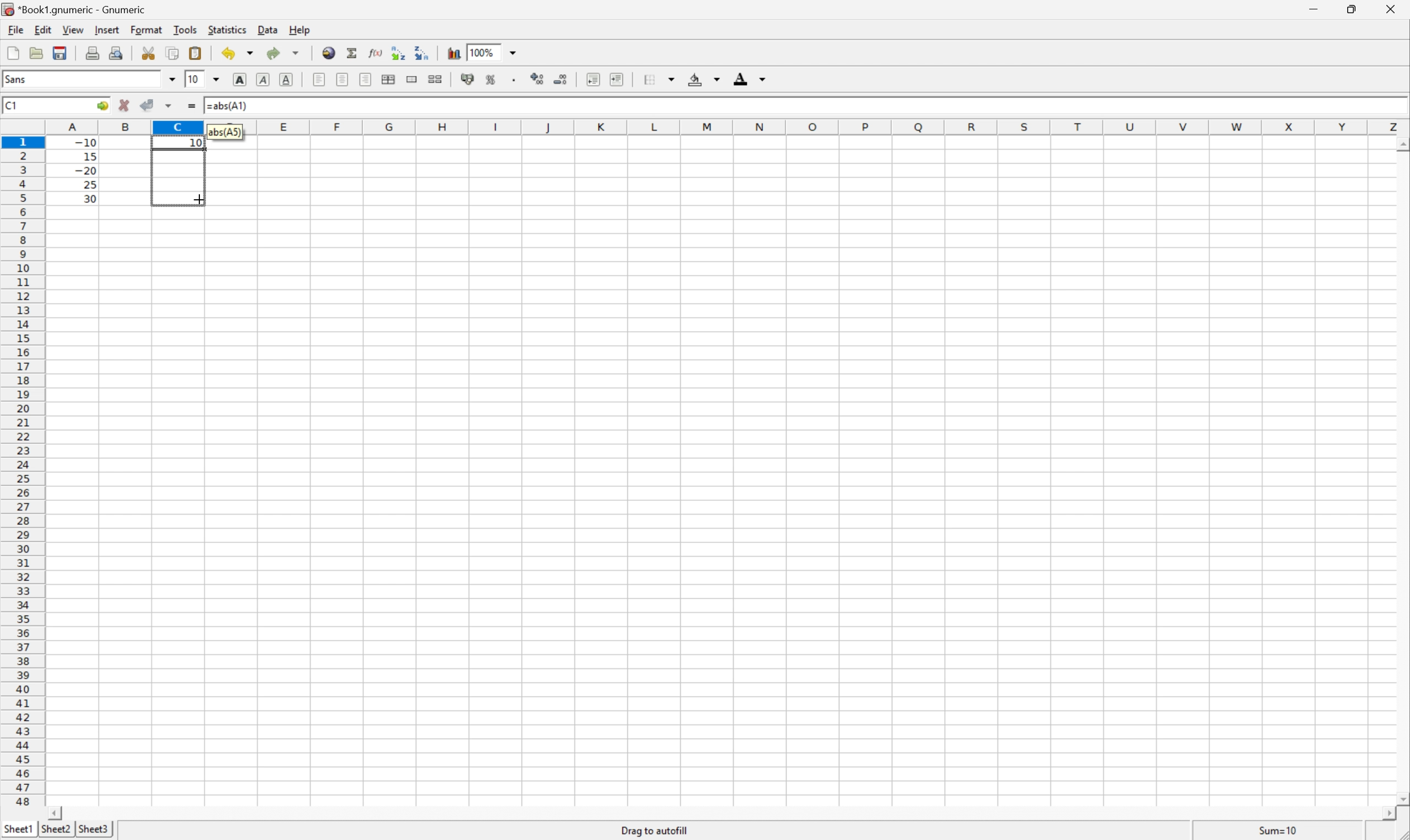 The image size is (1410, 840). Describe the element at coordinates (300, 31) in the screenshot. I see `Help` at that location.